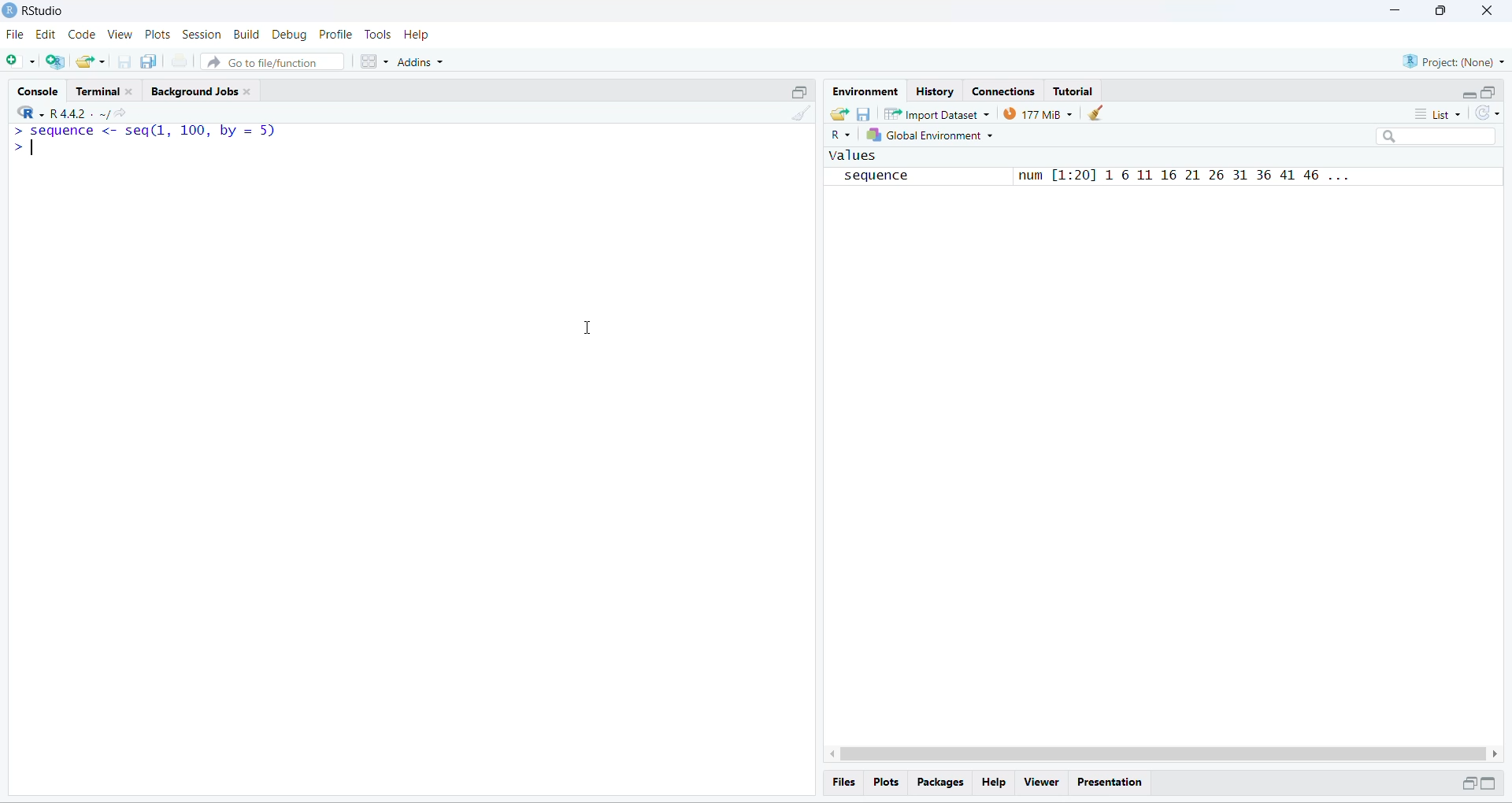 This screenshot has width=1512, height=803. Describe the element at coordinates (995, 783) in the screenshot. I see `help` at that location.